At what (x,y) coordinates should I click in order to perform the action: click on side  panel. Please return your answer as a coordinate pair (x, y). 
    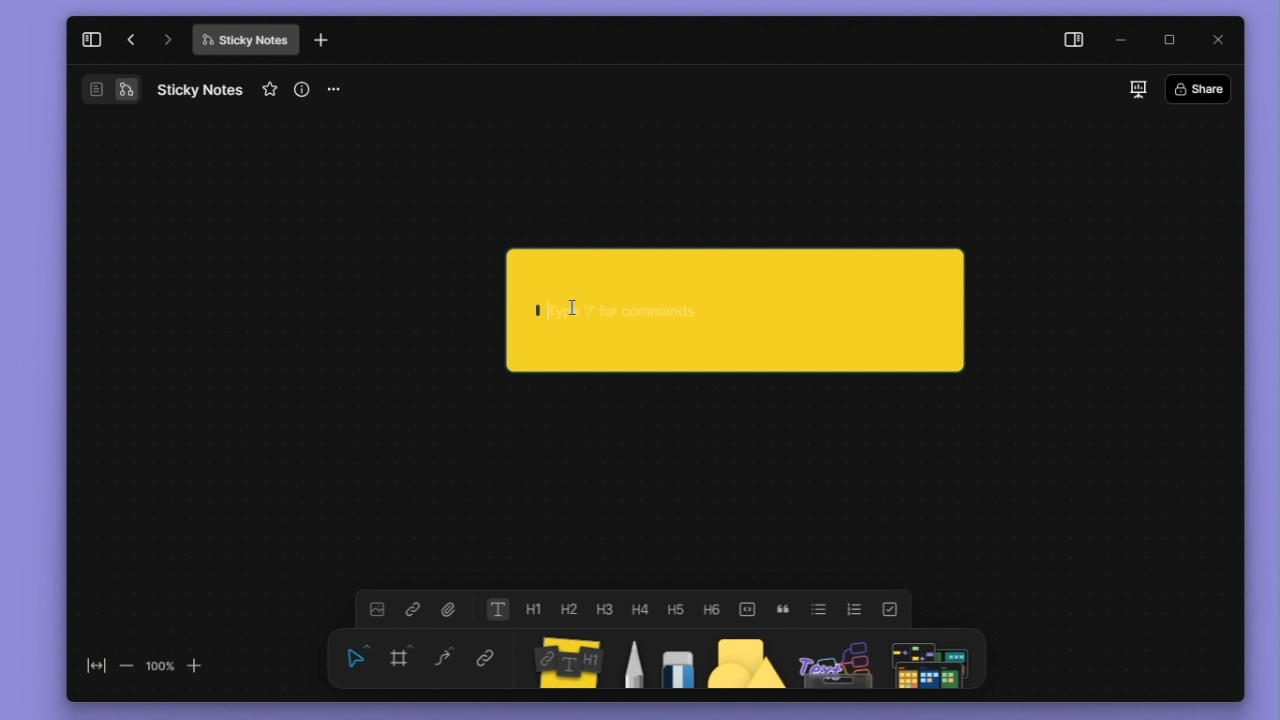
    Looking at the image, I should click on (1070, 40).